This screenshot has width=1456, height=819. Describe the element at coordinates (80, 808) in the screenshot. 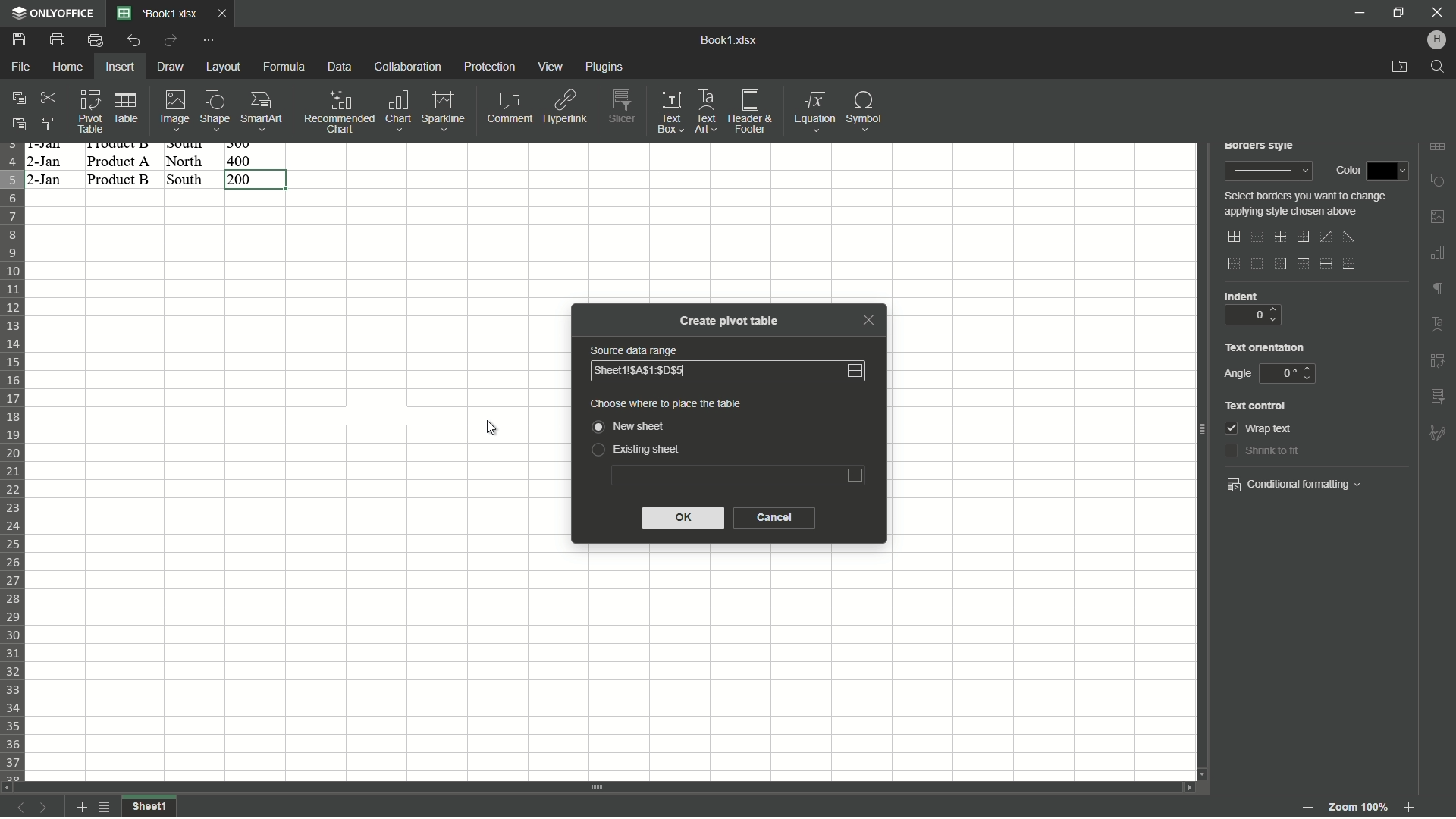

I see `add sheet` at that location.